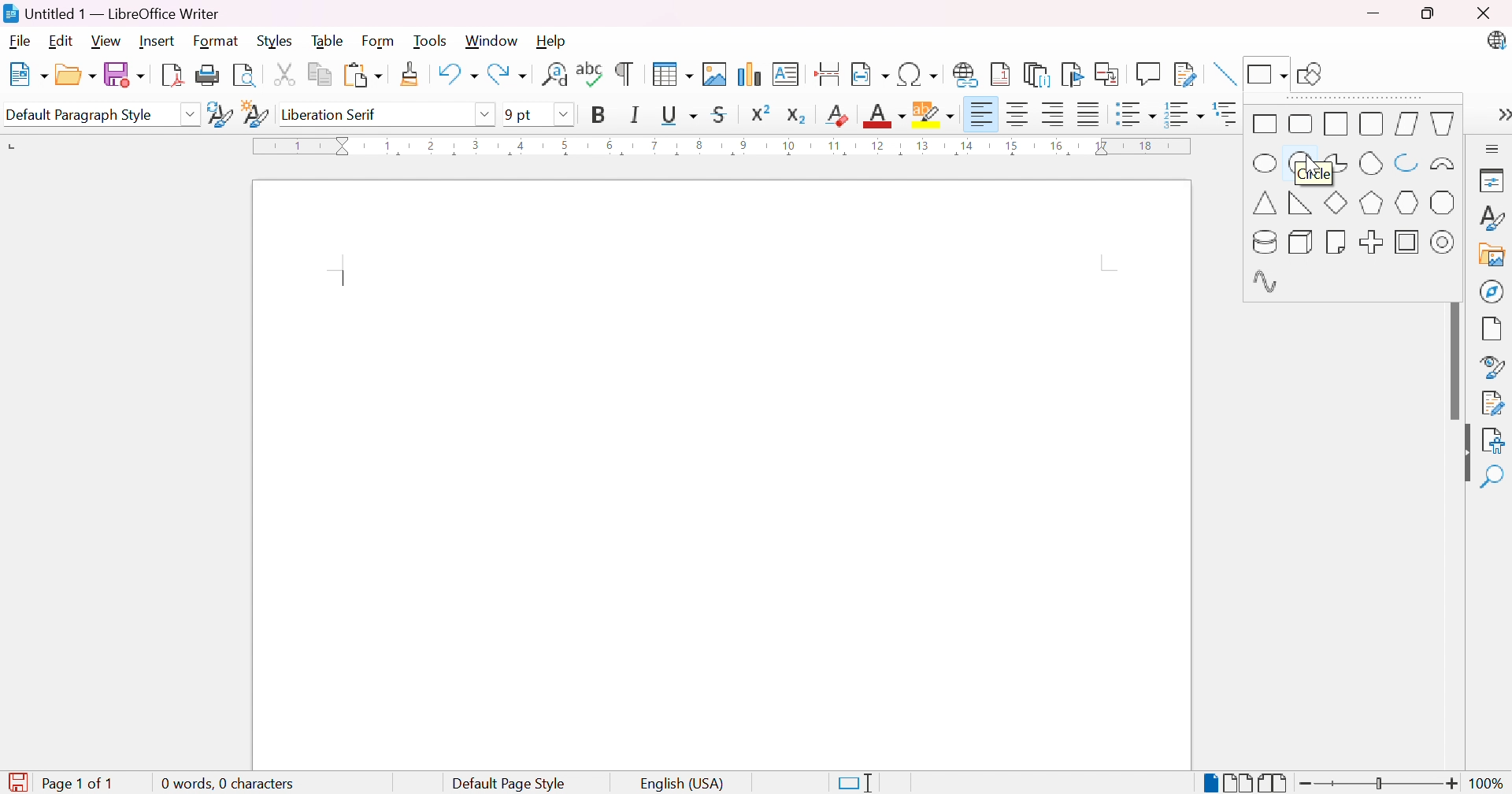 Image resolution: width=1512 pixels, height=794 pixels. What do you see at coordinates (1458, 362) in the screenshot?
I see `Scroll bar` at bounding box center [1458, 362].